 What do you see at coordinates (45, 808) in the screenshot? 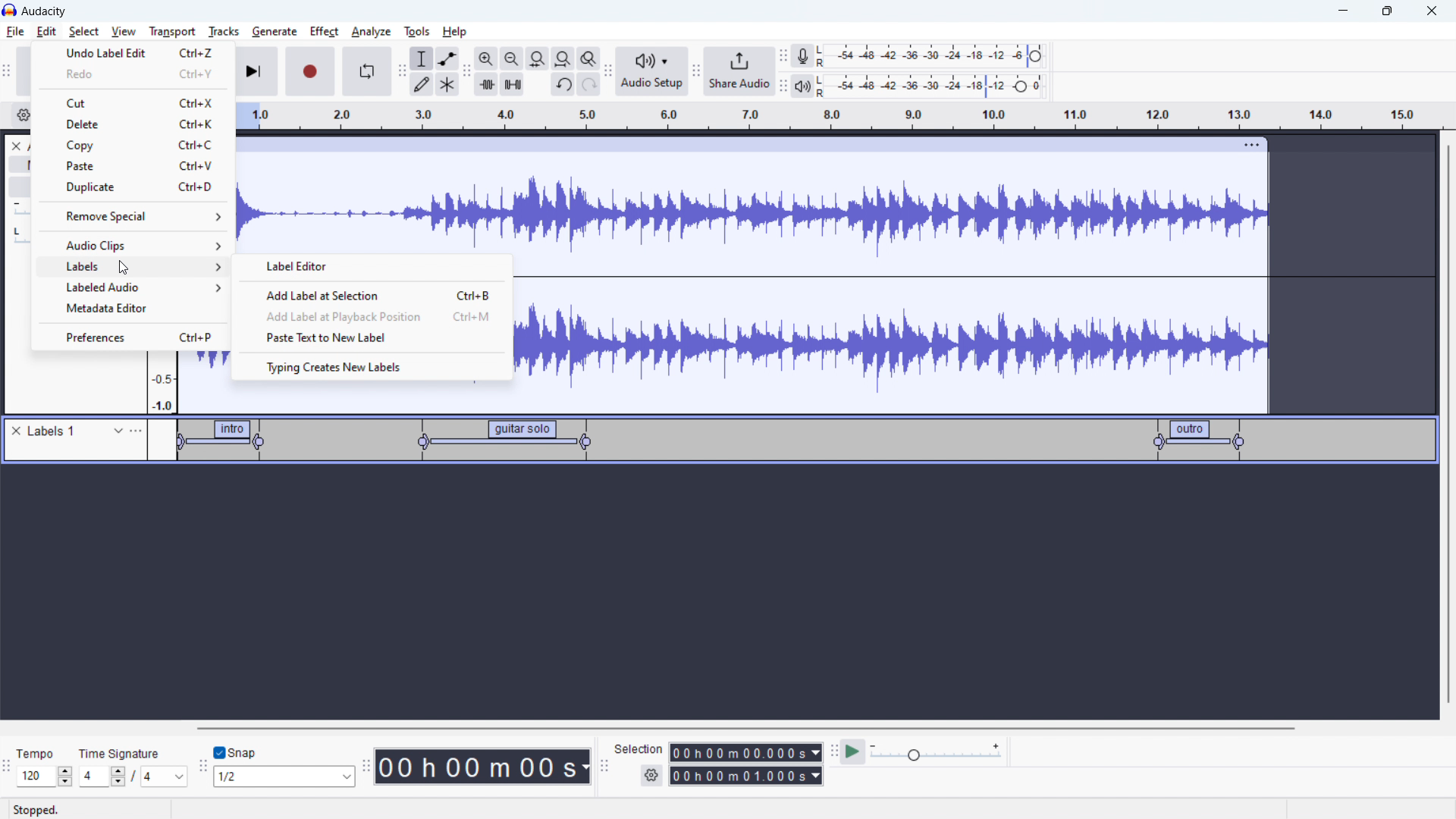
I see `stopped.` at bounding box center [45, 808].